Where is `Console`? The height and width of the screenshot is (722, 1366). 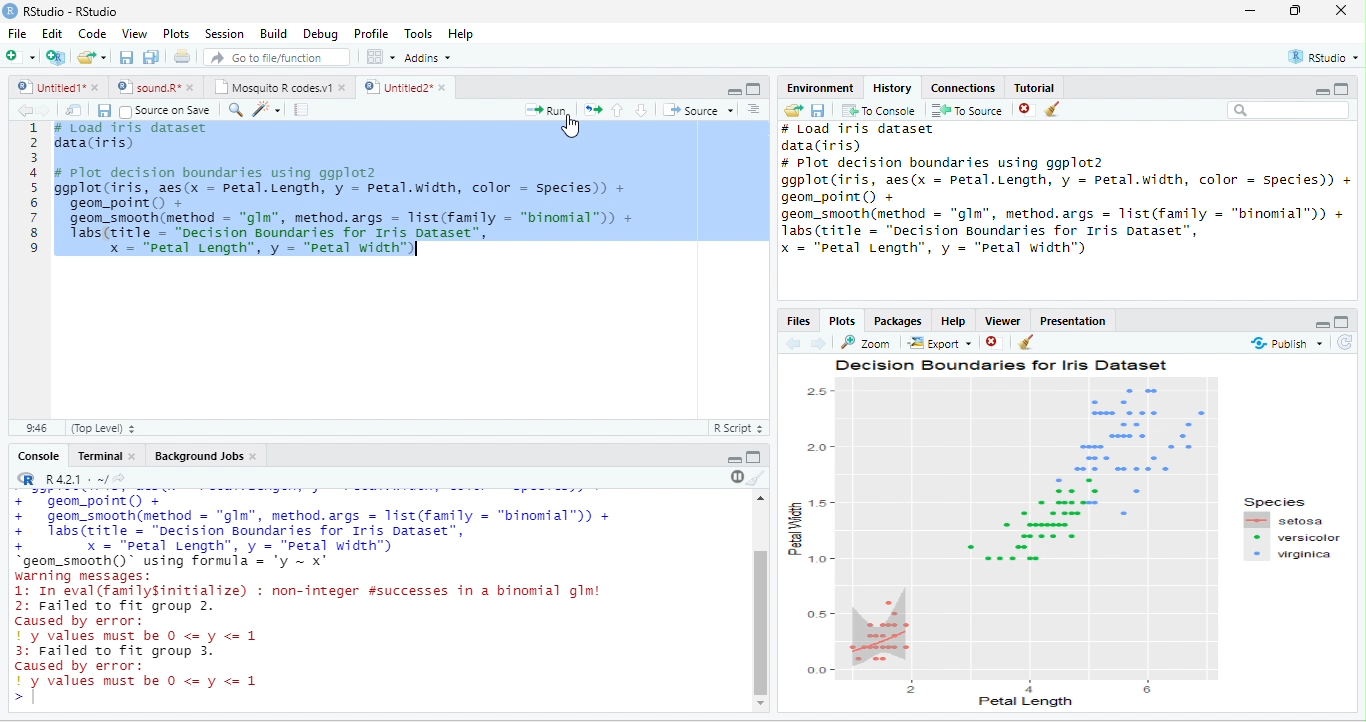 Console is located at coordinates (38, 455).